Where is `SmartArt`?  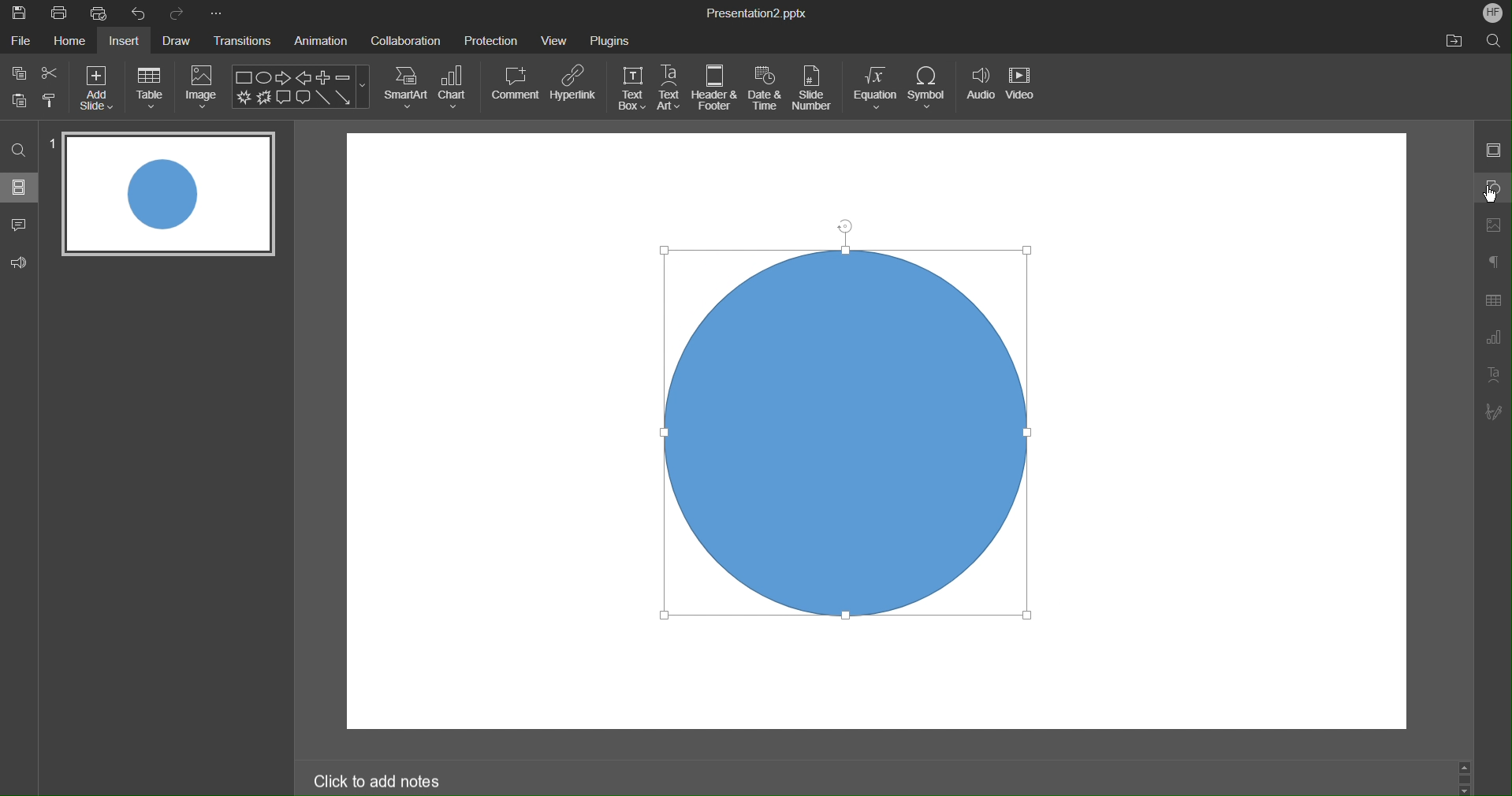
SmartArt is located at coordinates (406, 87).